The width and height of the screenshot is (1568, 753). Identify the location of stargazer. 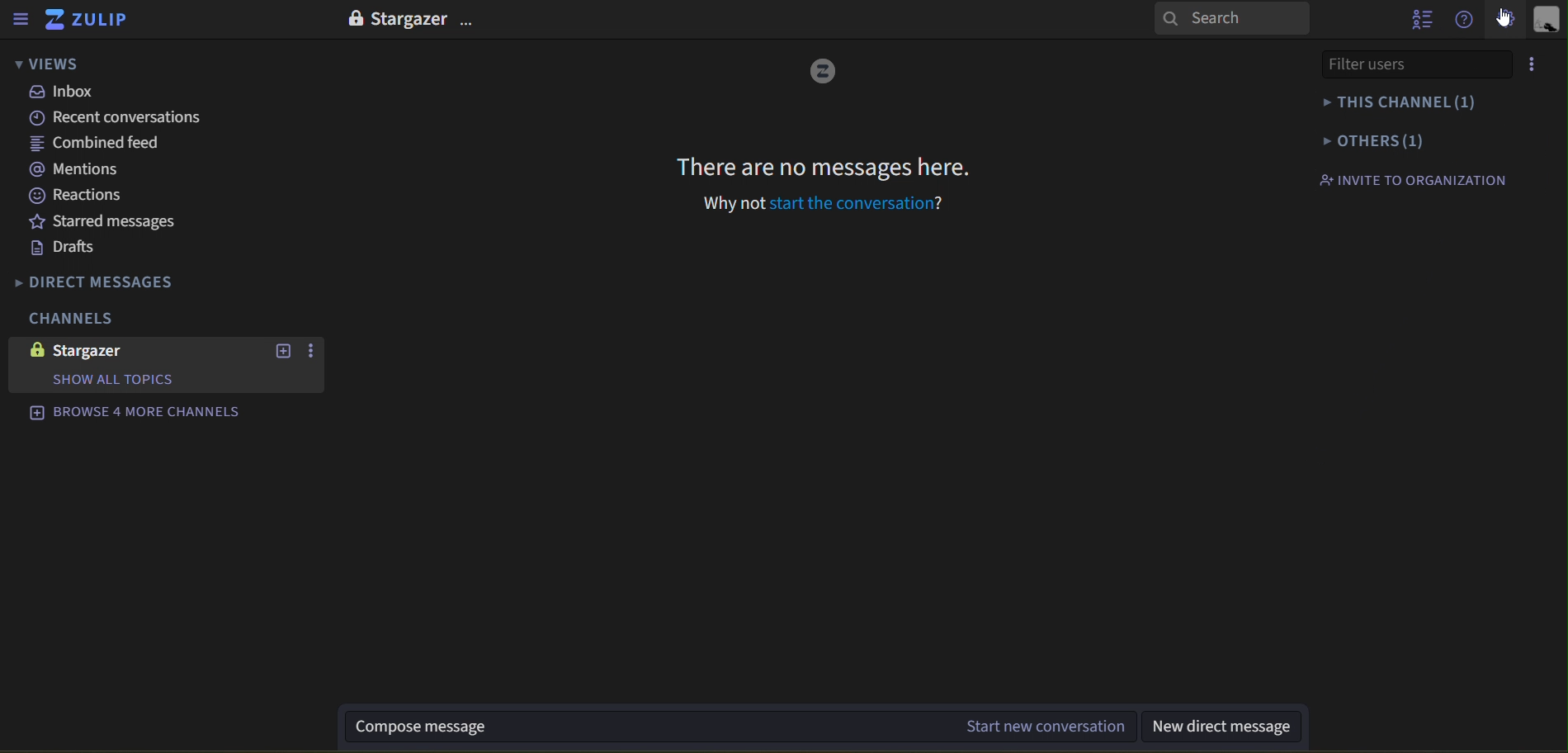
(96, 351).